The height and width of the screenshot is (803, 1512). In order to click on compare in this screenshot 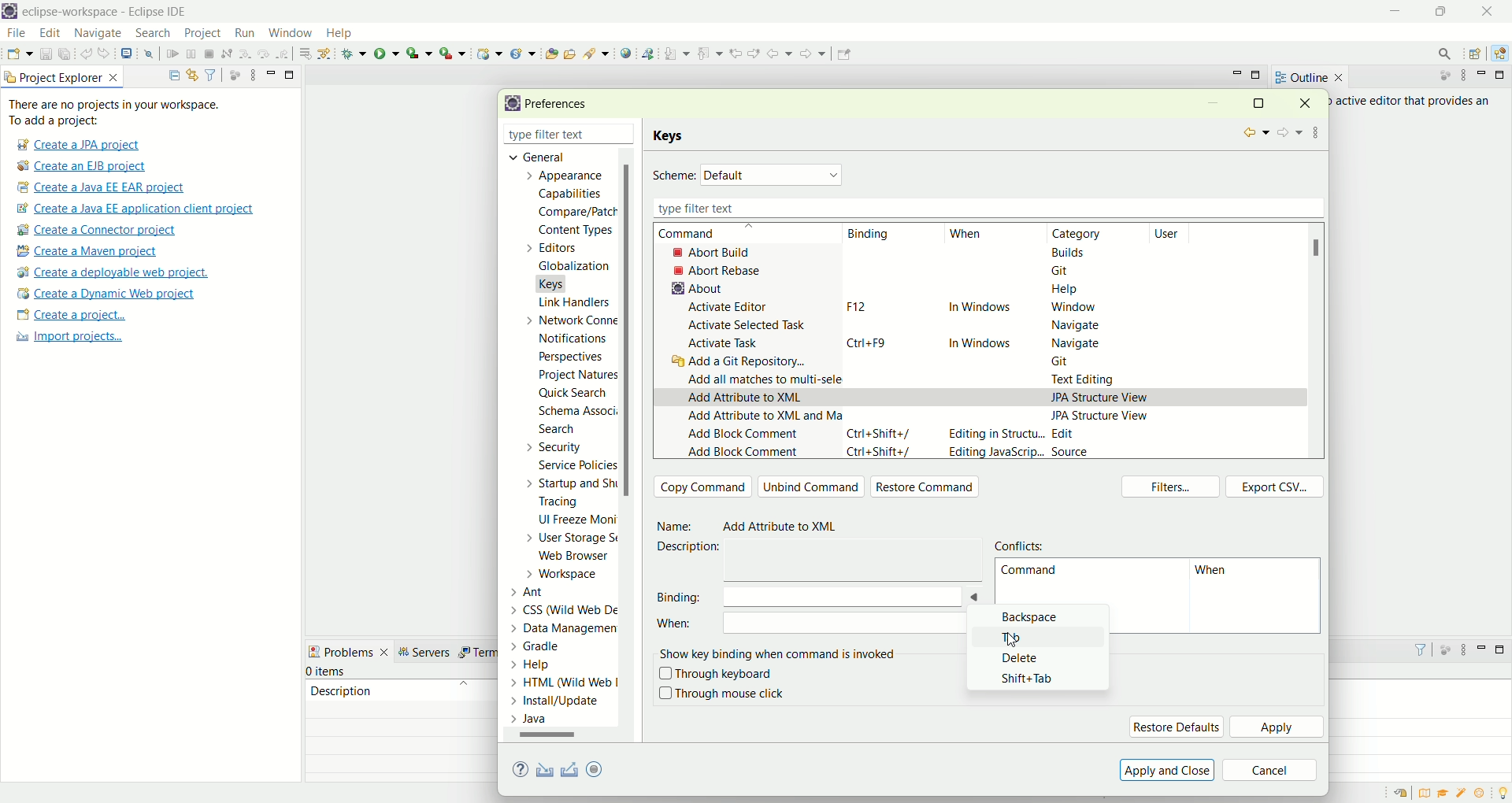, I will do `click(576, 211)`.